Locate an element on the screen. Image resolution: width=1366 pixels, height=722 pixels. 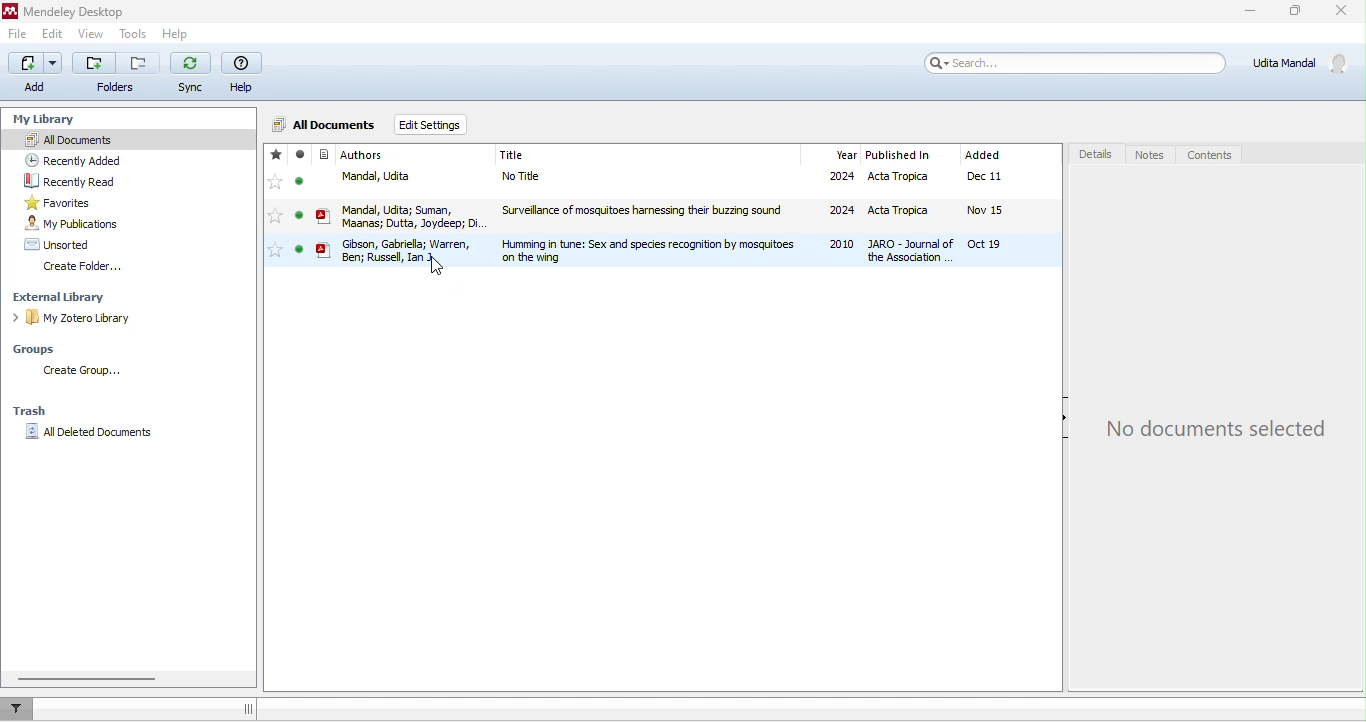
published in is located at coordinates (898, 156).